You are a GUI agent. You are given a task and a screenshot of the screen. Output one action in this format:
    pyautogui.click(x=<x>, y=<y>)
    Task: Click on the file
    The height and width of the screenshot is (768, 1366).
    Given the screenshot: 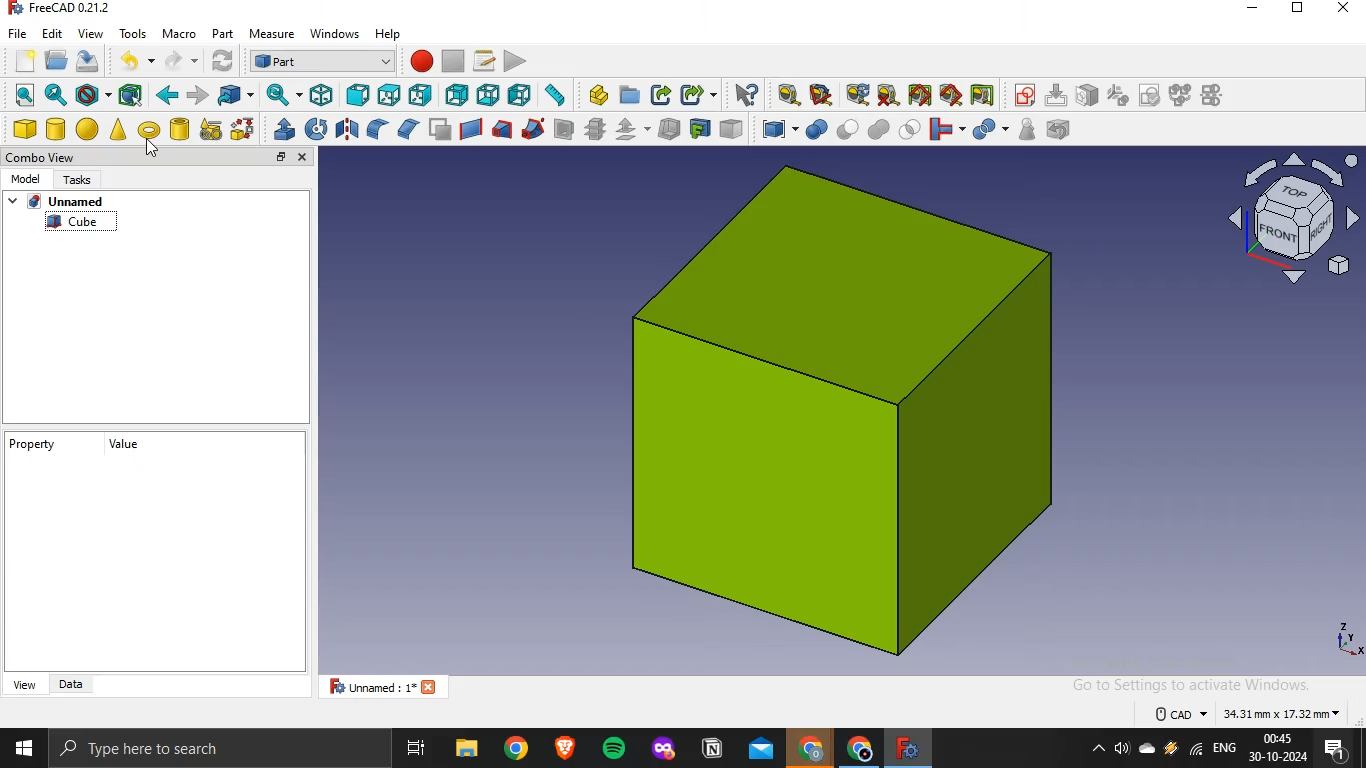 What is the action you would take?
    pyautogui.click(x=18, y=34)
    